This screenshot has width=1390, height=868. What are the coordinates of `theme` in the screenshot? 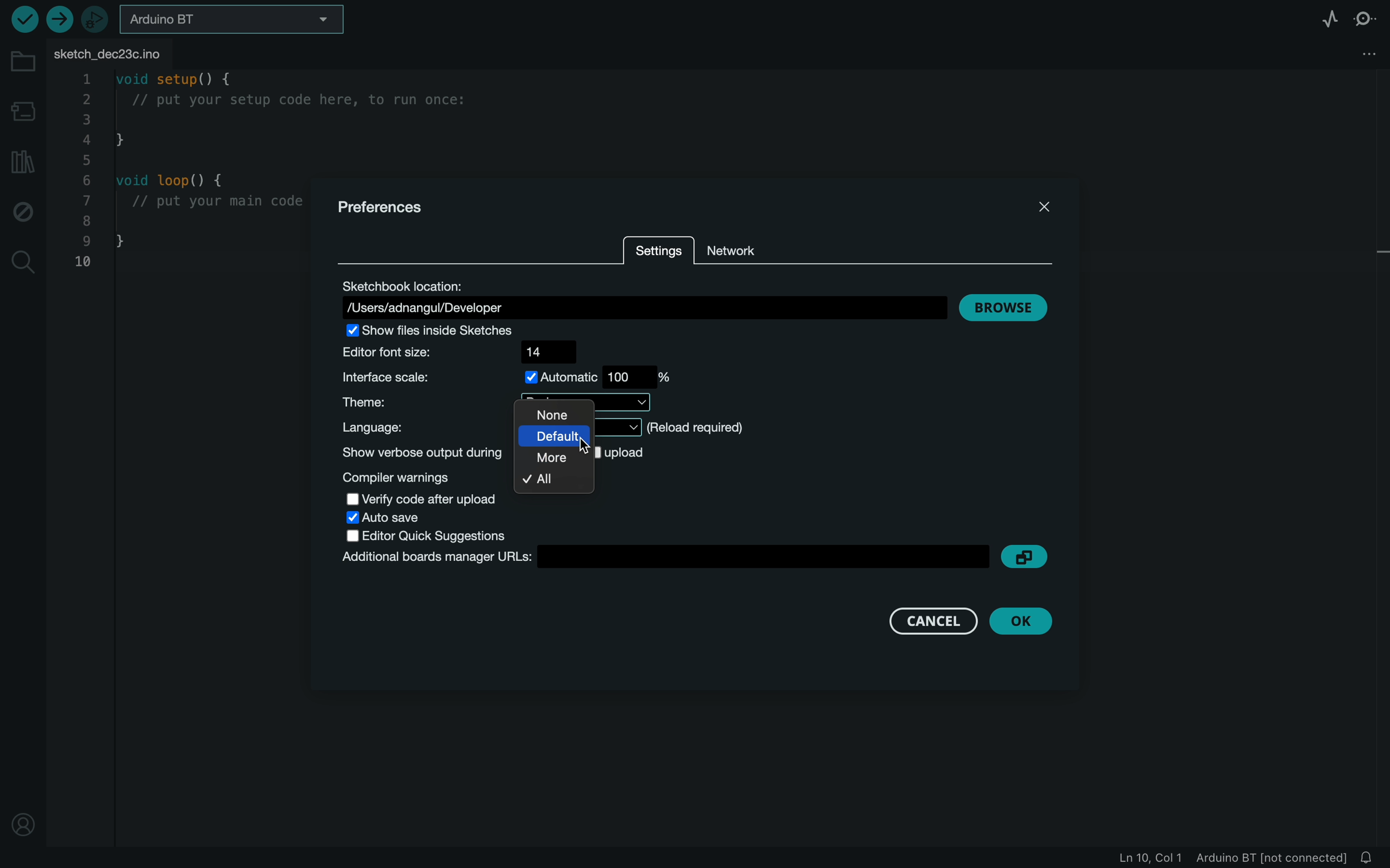 It's located at (497, 402).